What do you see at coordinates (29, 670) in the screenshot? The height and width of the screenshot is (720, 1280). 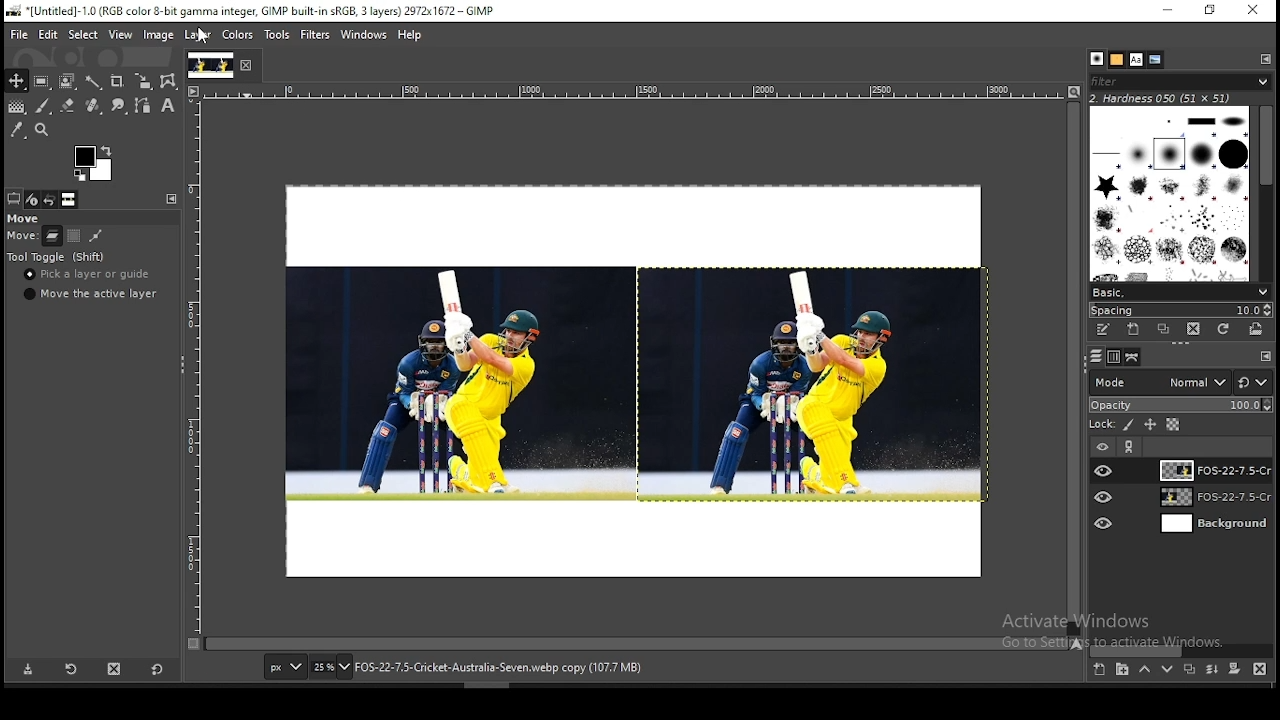 I see `save tool preset` at bounding box center [29, 670].